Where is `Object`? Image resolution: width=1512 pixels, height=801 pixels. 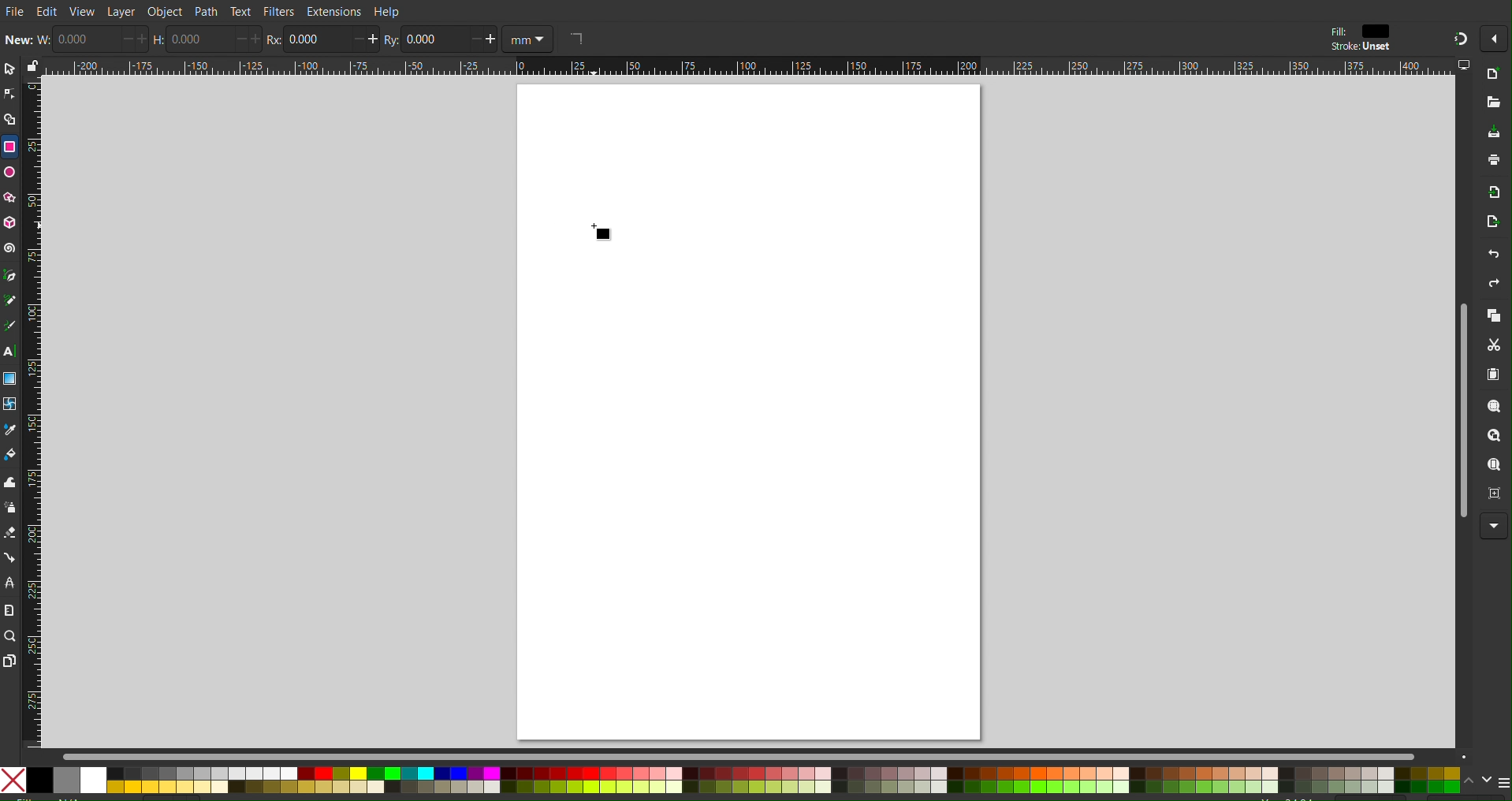
Object is located at coordinates (165, 11).